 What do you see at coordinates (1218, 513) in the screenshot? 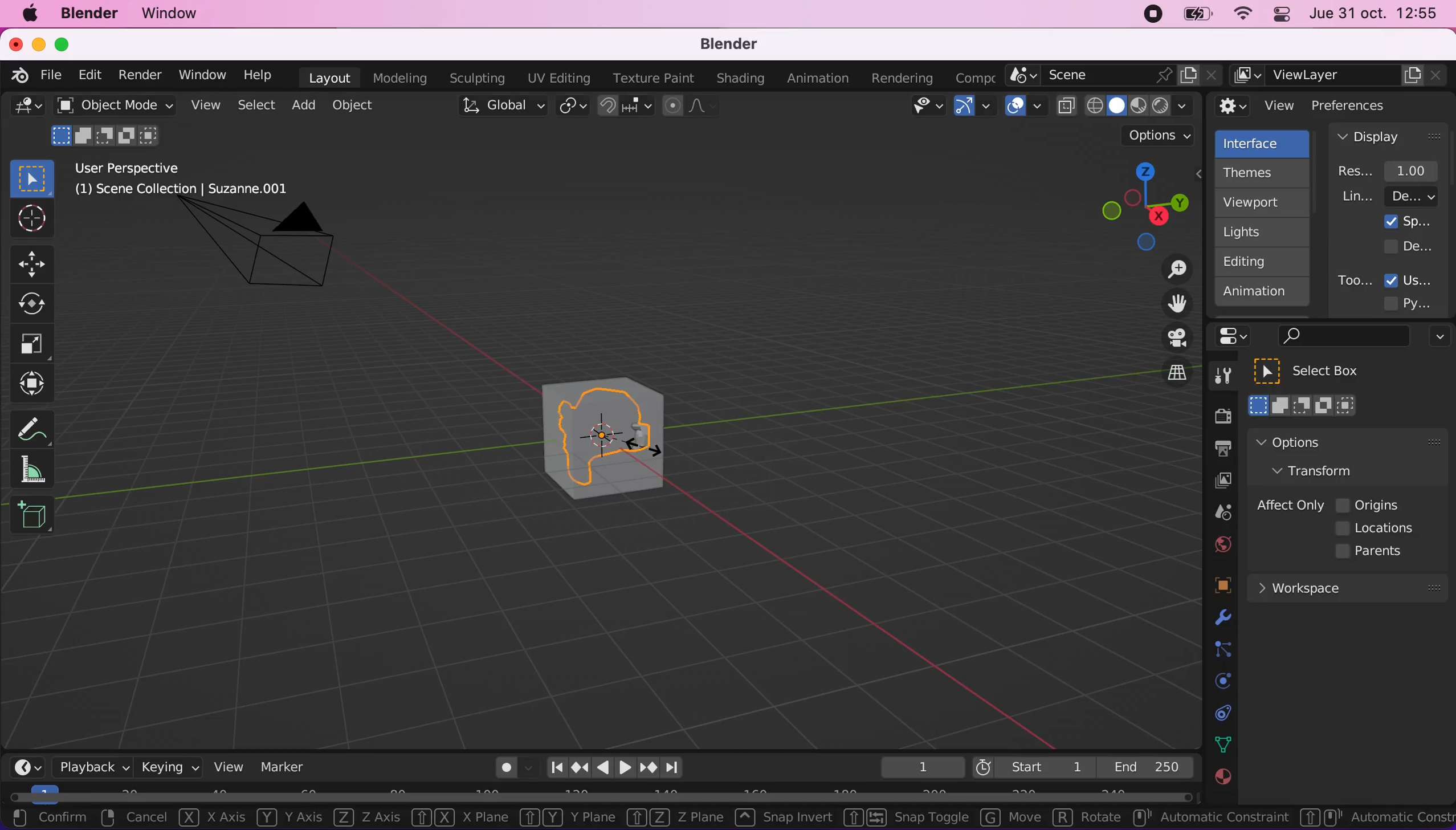
I see `scene` at bounding box center [1218, 513].